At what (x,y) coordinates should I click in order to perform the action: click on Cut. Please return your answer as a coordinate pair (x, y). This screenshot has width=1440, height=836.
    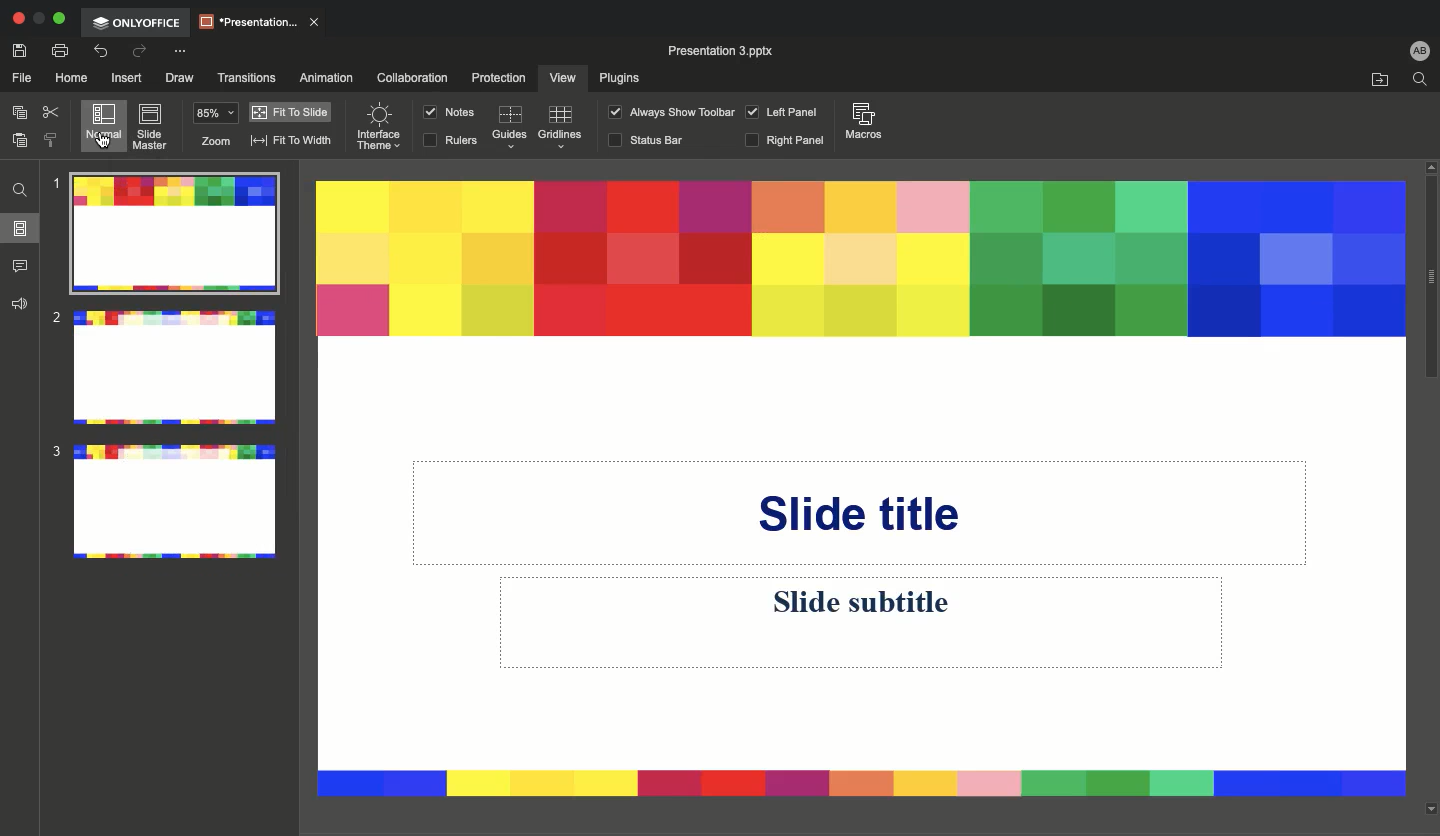
    Looking at the image, I should click on (53, 114).